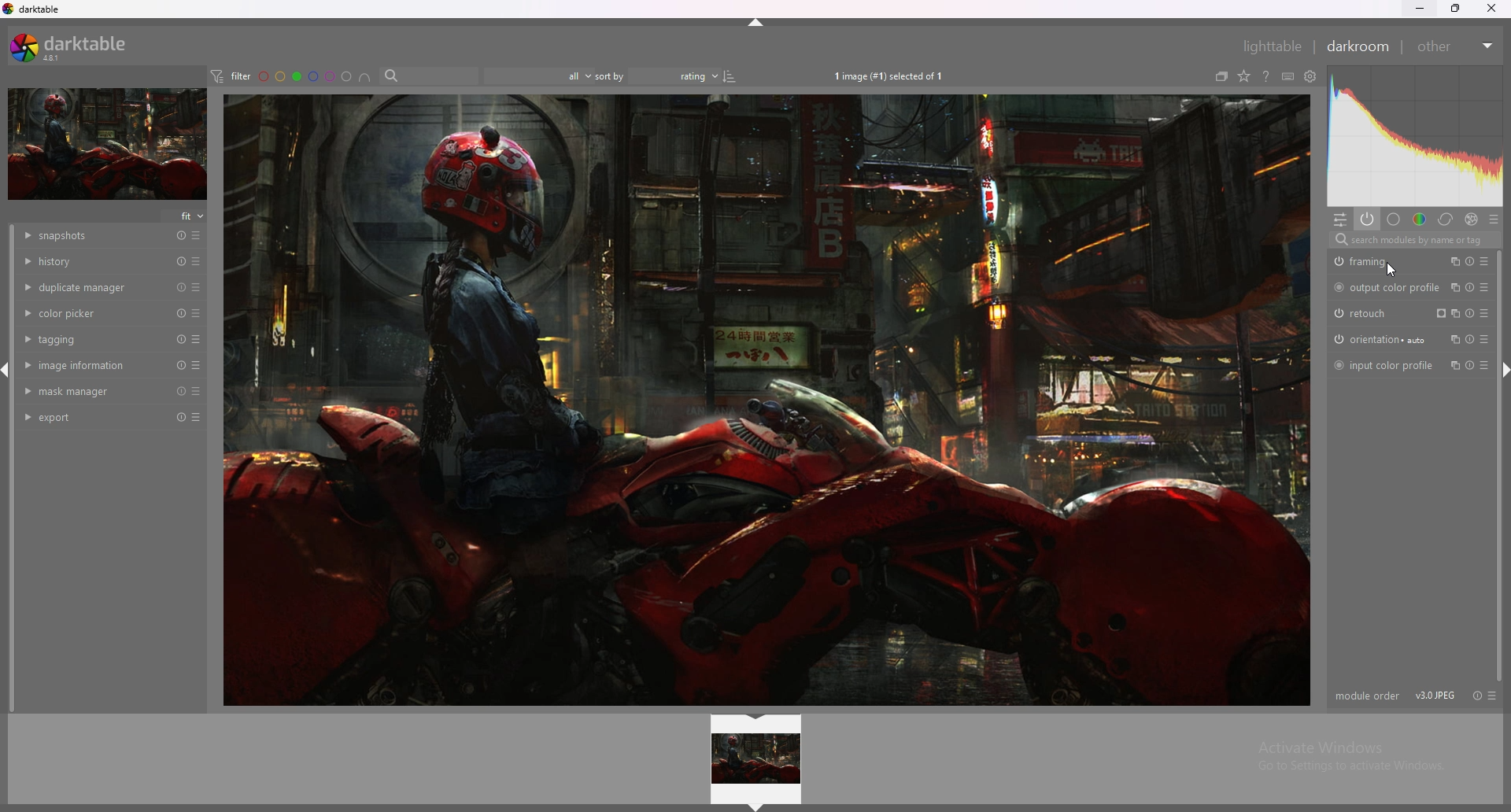 The height and width of the screenshot is (812, 1511). What do you see at coordinates (1347, 760) in the screenshot?
I see `Activate Windows
Go to Settings to activate Windows` at bounding box center [1347, 760].